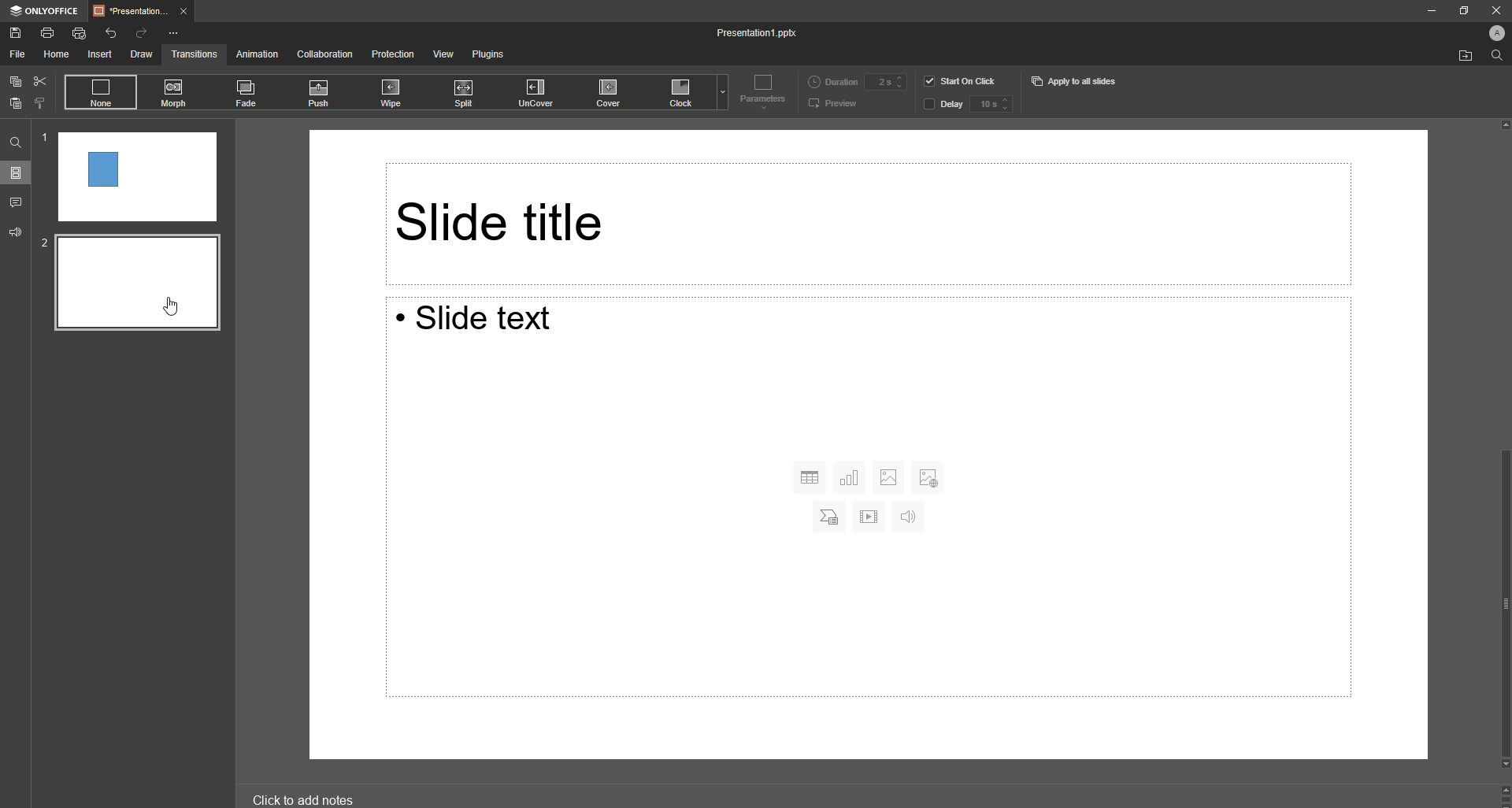 Image resolution: width=1512 pixels, height=808 pixels. What do you see at coordinates (43, 103) in the screenshot?
I see `Choose Style` at bounding box center [43, 103].